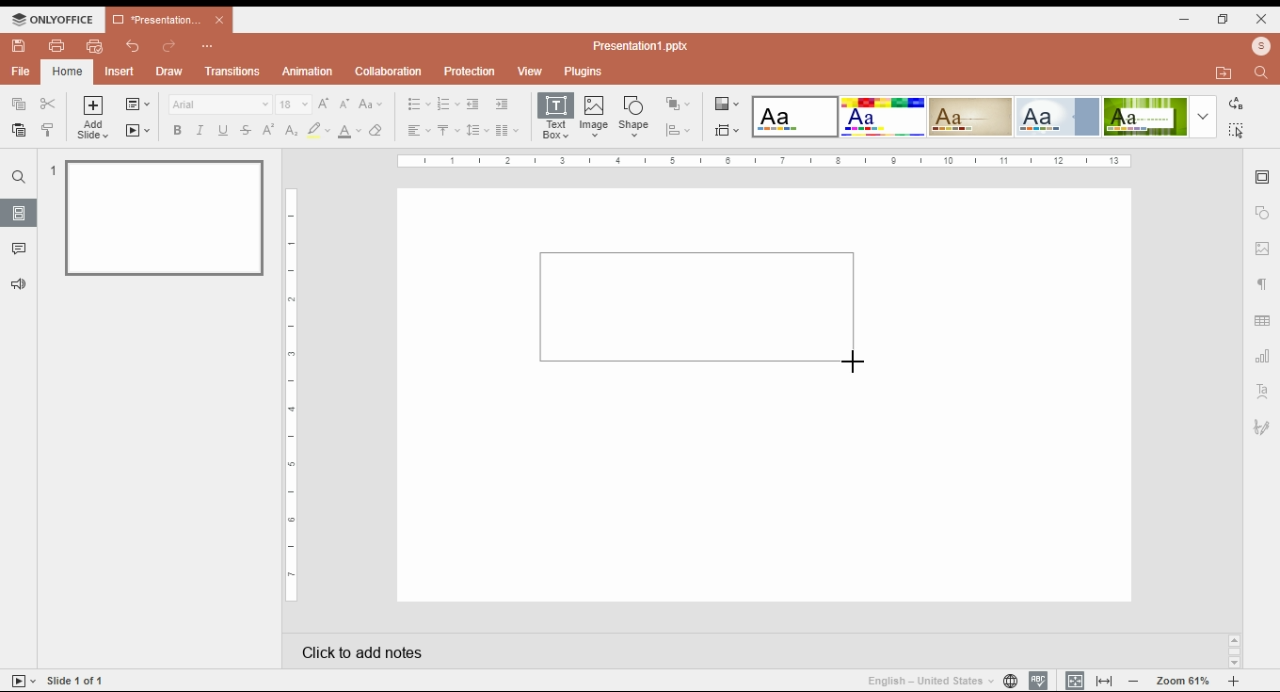 The image size is (1280, 692). Describe the element at coordinates (135, 47) in the screenshot. I see `undo` at that location.